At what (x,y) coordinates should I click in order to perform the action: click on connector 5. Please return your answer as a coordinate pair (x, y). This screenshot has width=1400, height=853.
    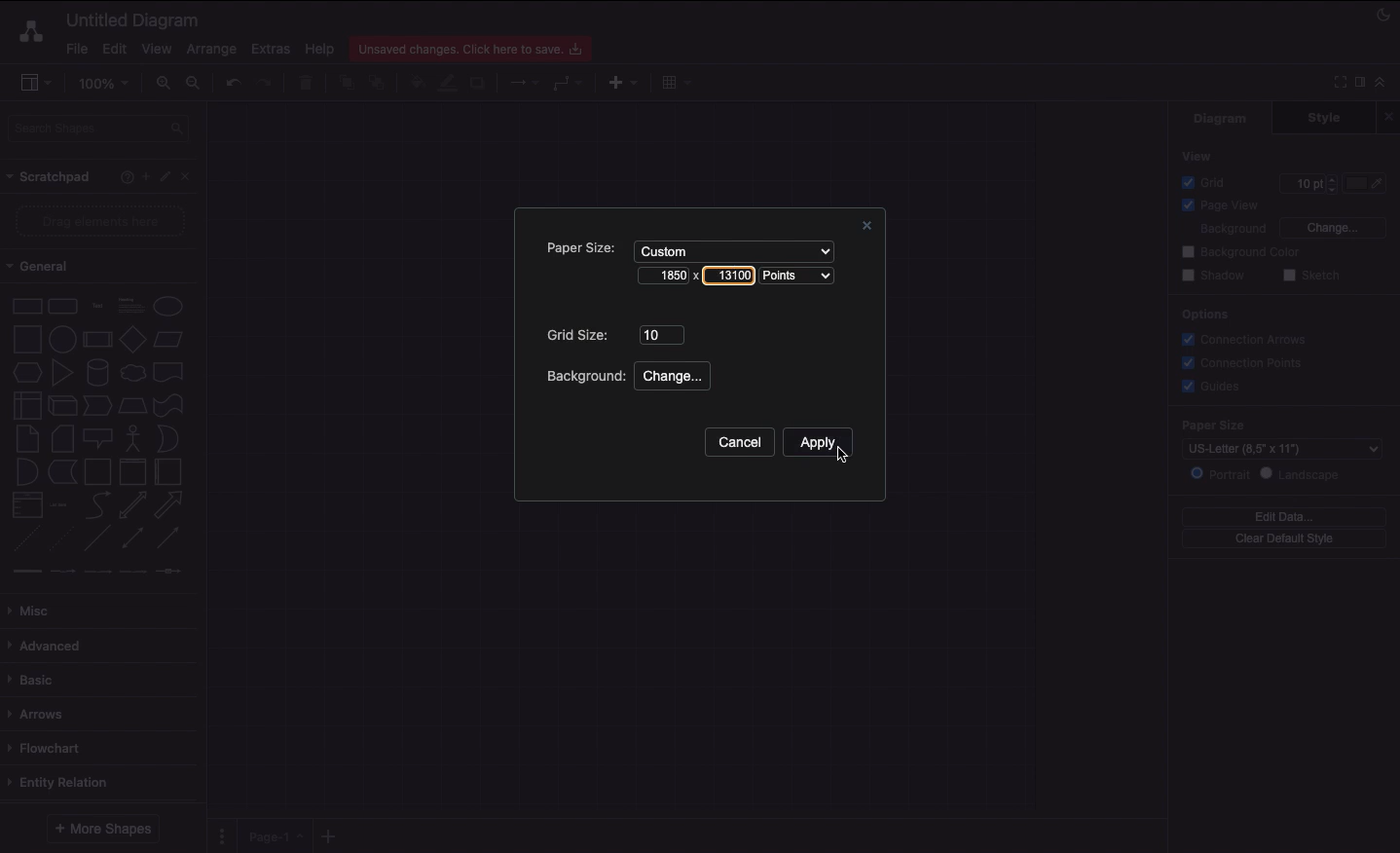
    Looking at the image, I should click on (170, 571).